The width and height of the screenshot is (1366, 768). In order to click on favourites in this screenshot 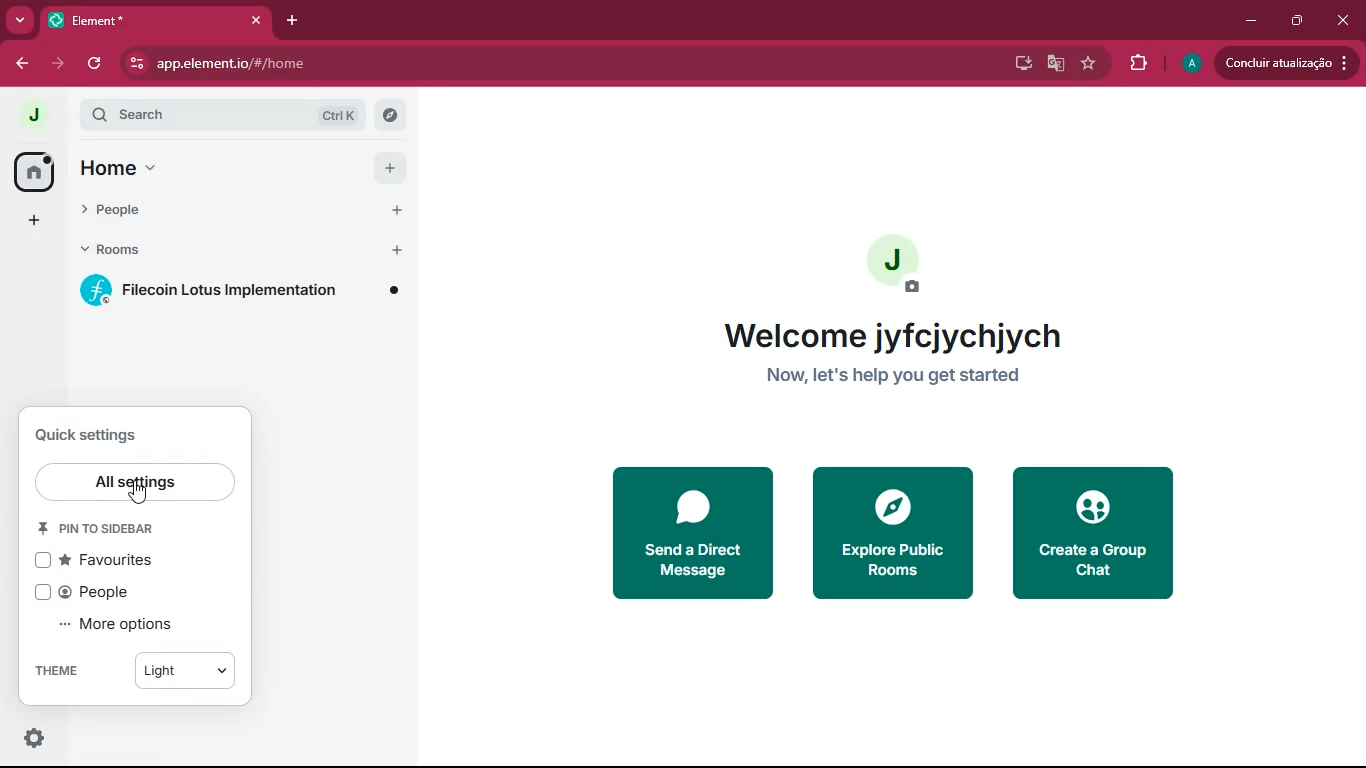, I will do `click(107, 559)`.